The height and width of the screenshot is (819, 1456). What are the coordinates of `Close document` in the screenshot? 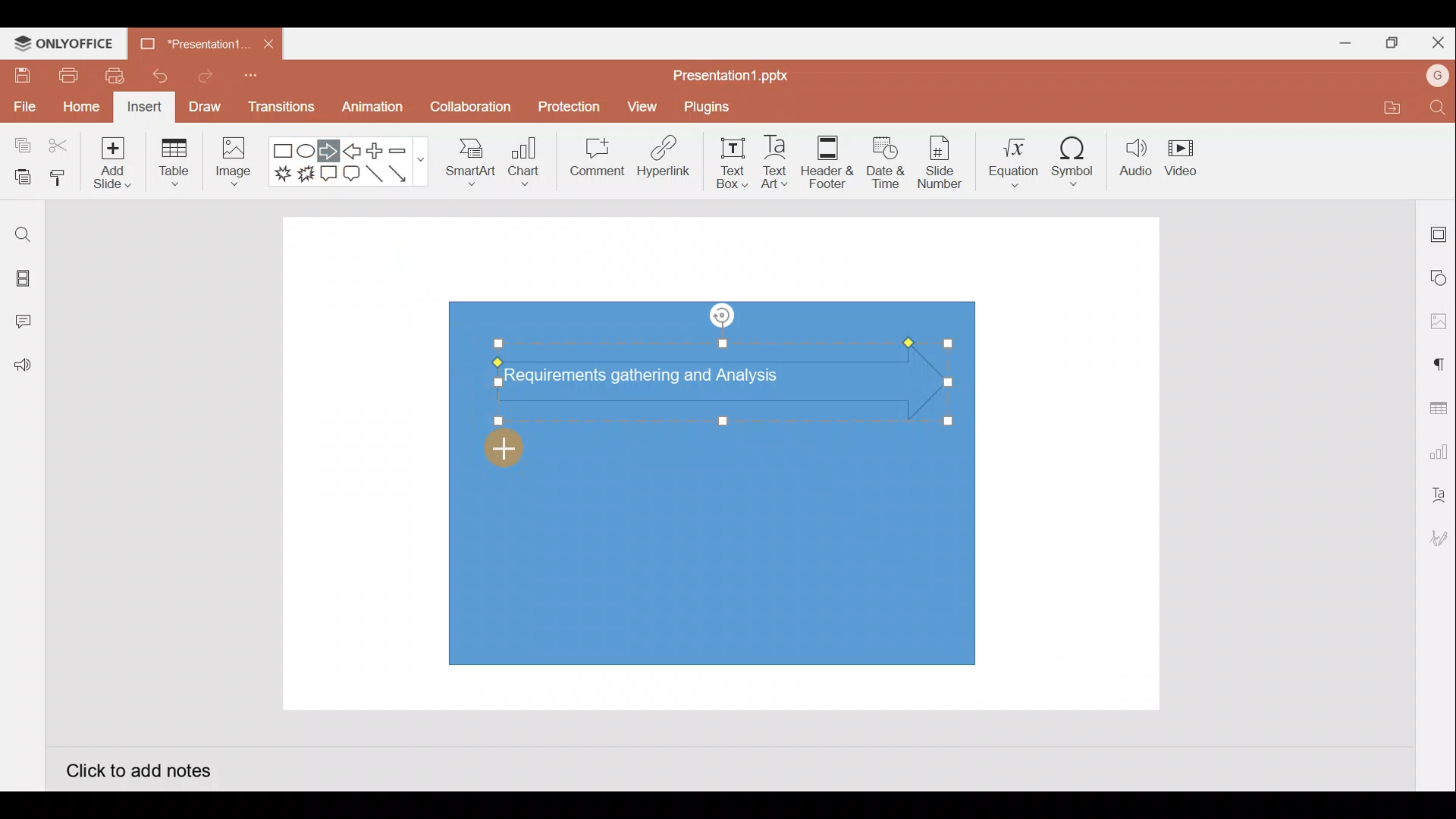 It's located at (268, 40).